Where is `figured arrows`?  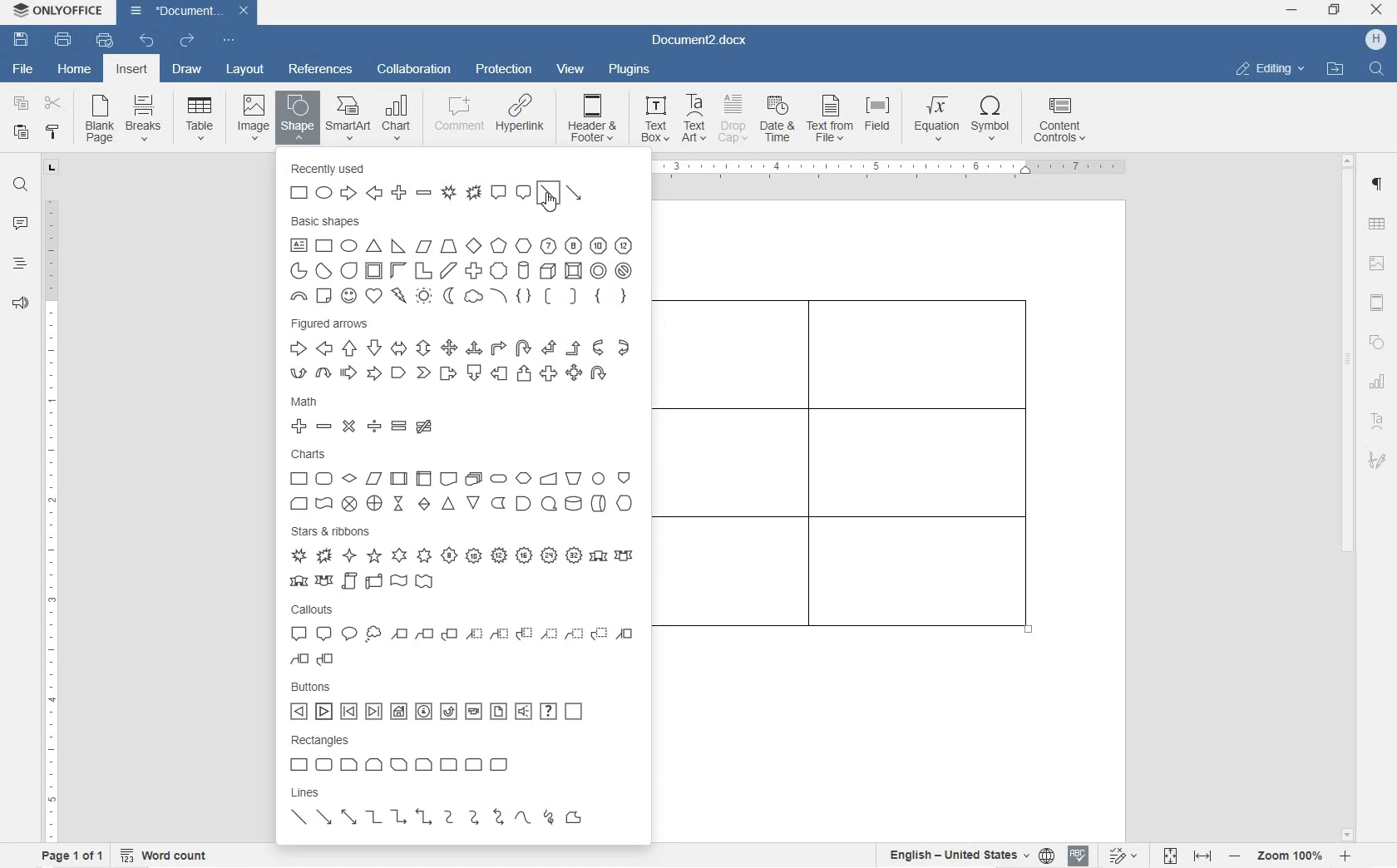 figured arrows is located at coordinates (461, 349).